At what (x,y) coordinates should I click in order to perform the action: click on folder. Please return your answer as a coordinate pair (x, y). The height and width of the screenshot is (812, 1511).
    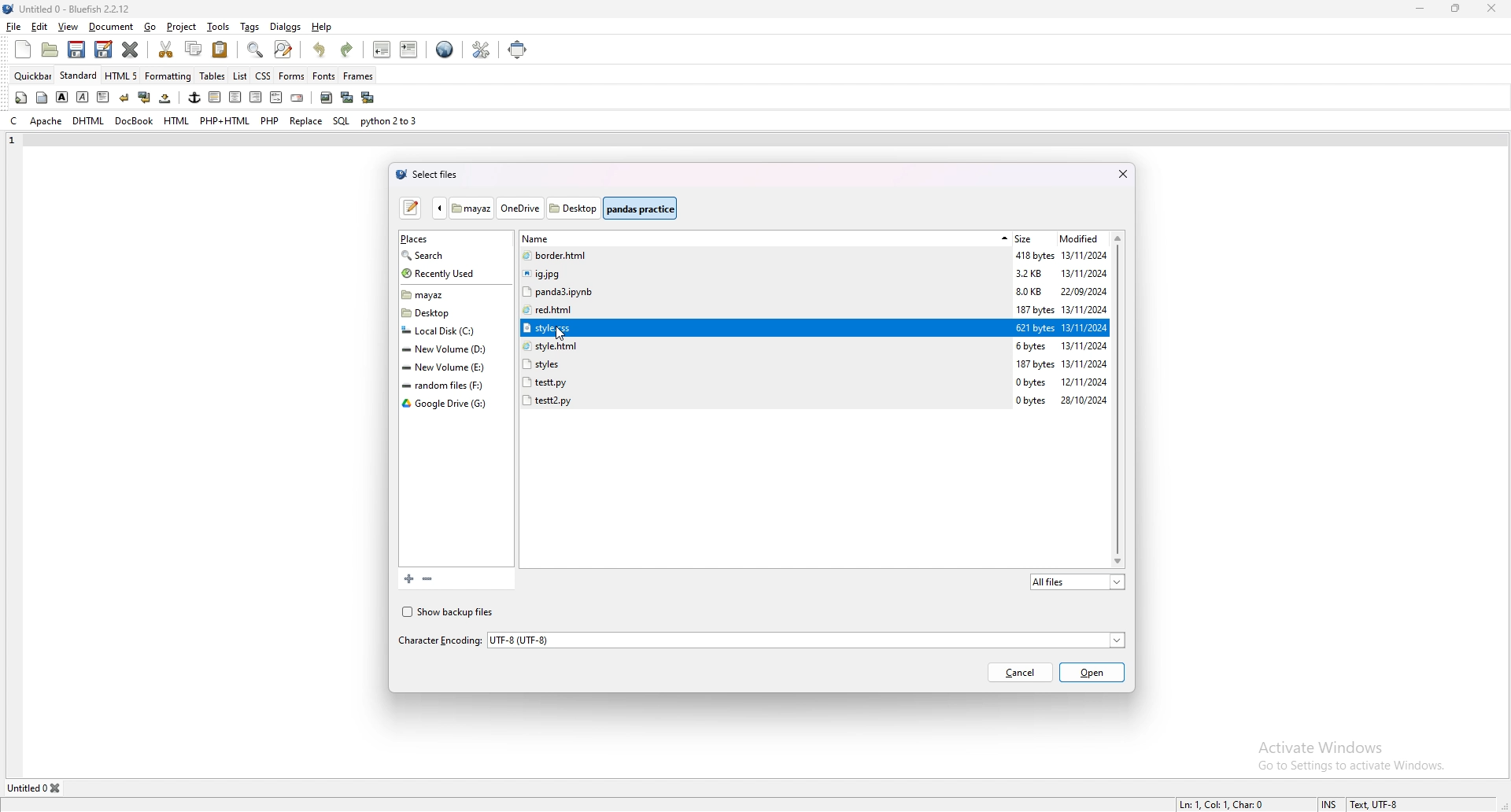
    Looking at the image, I should click on (449, 349).